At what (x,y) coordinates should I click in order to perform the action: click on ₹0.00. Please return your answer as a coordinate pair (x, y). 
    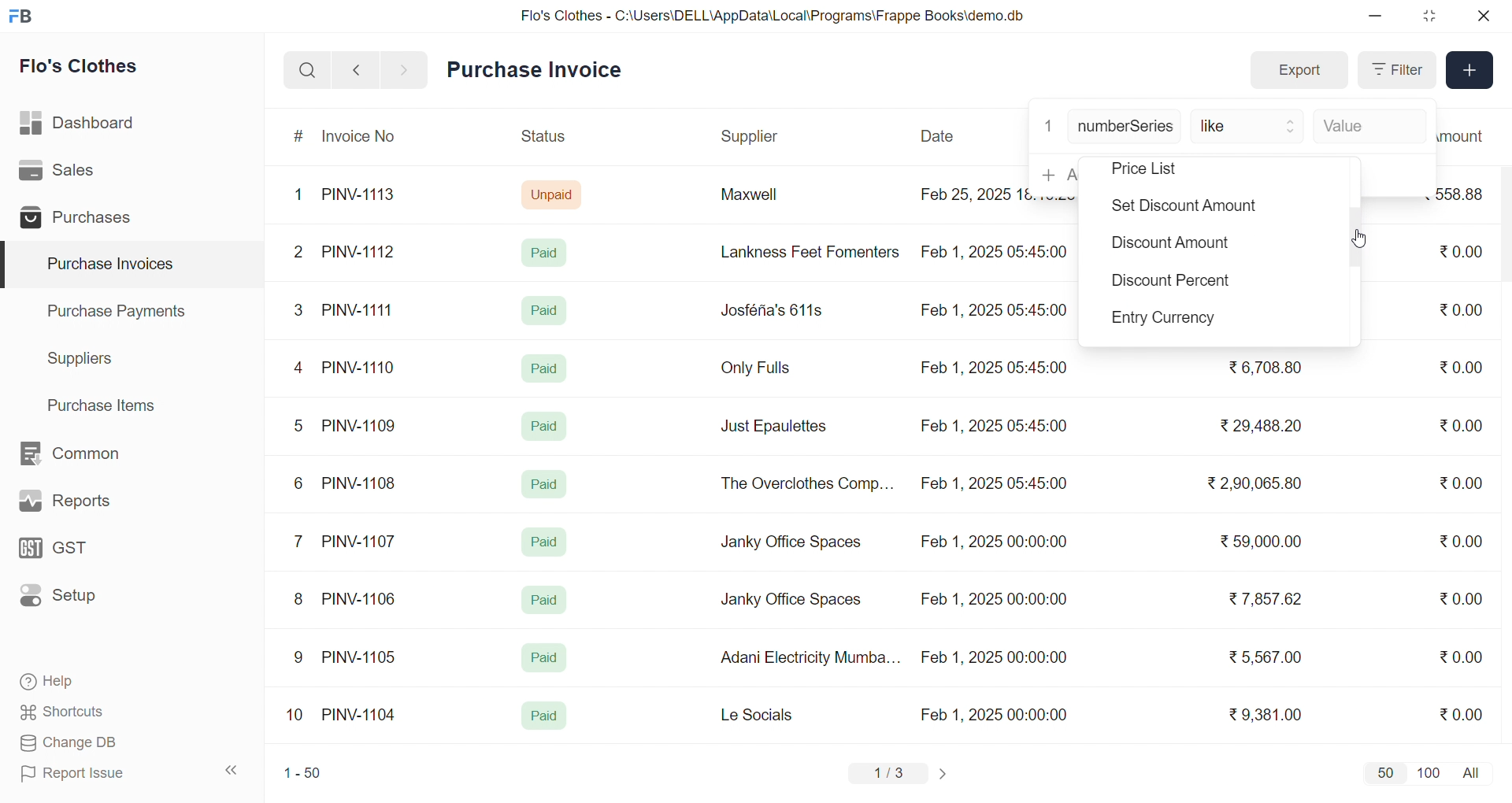
    Looking at the image, I should click on (1466, 539).